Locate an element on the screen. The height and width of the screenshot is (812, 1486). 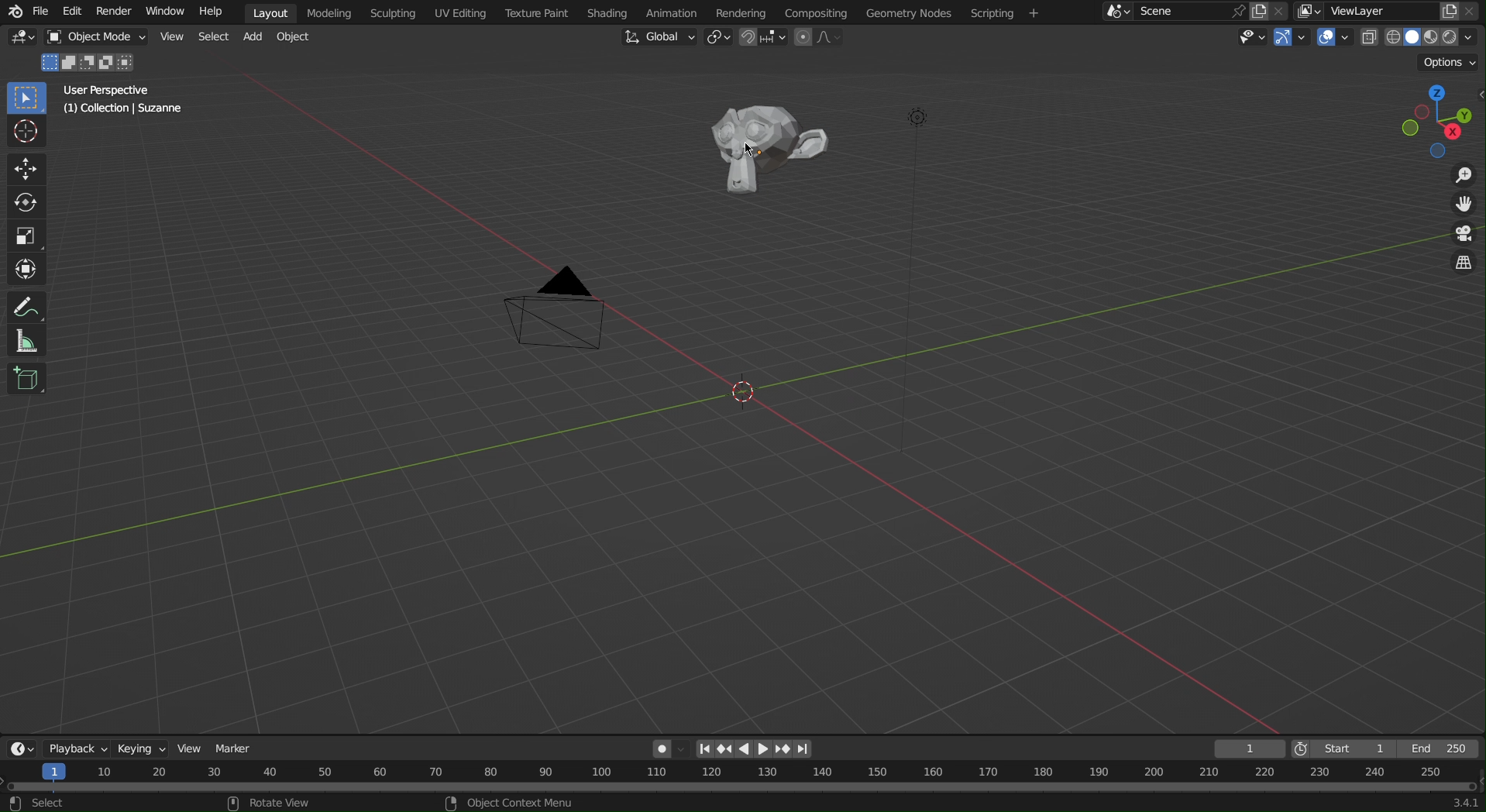
Object is located at coordinates (298, 40).